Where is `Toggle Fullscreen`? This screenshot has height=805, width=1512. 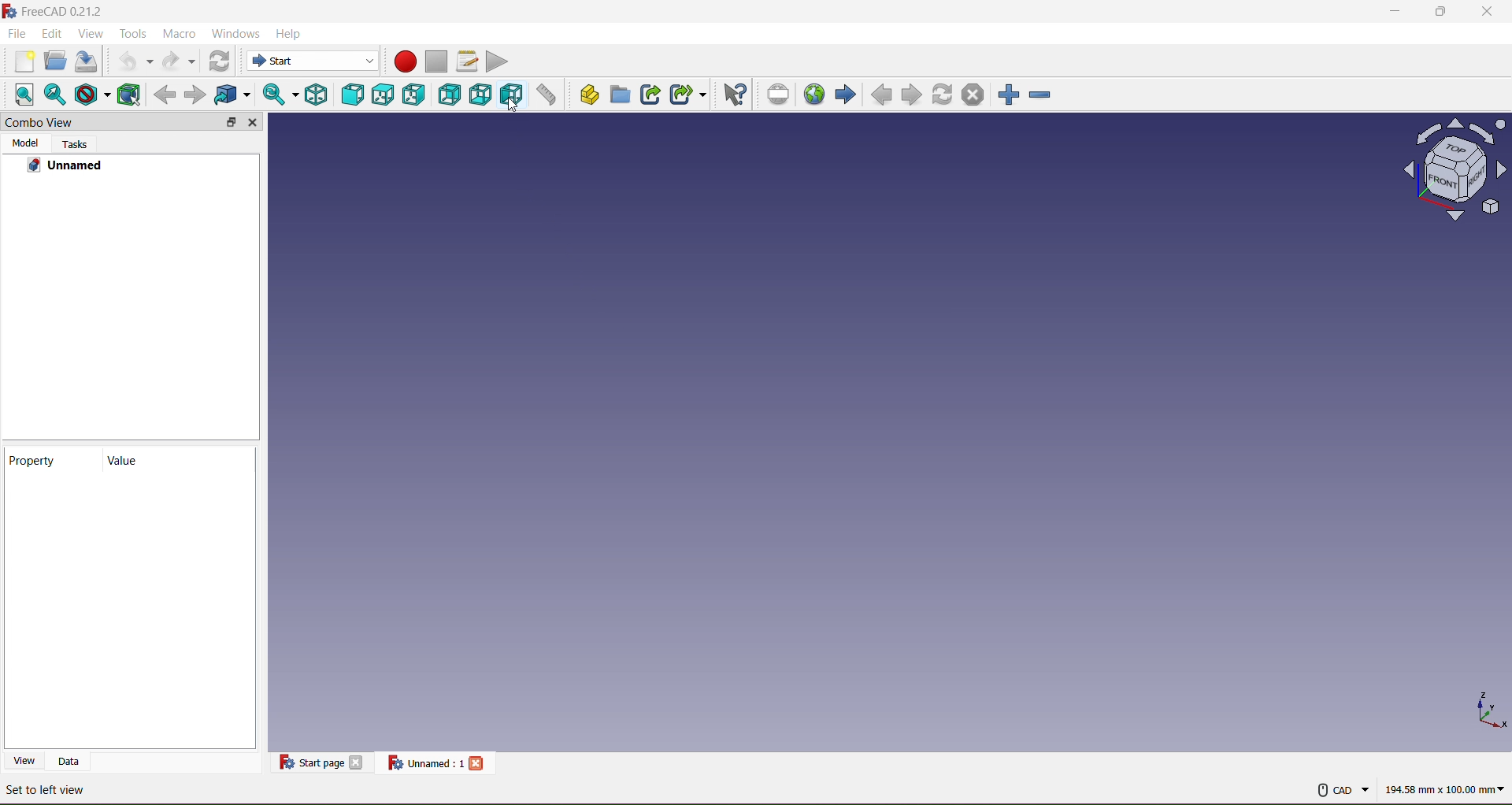 Toggle Fullscreen is located at coordinates (778, 94).